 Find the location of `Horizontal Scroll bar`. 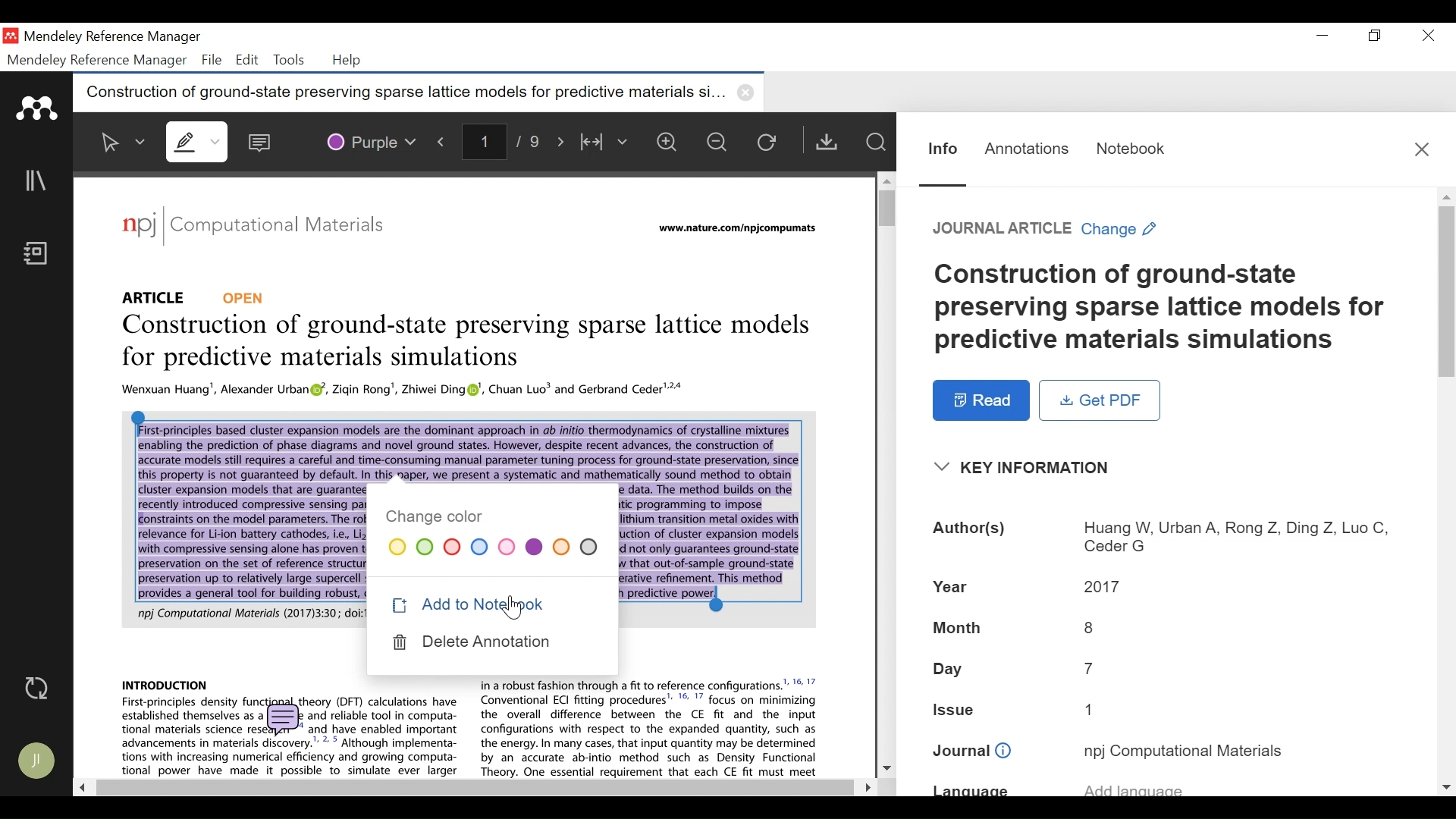

Horizontal Scroll bar is located at coordinates (472, 788).